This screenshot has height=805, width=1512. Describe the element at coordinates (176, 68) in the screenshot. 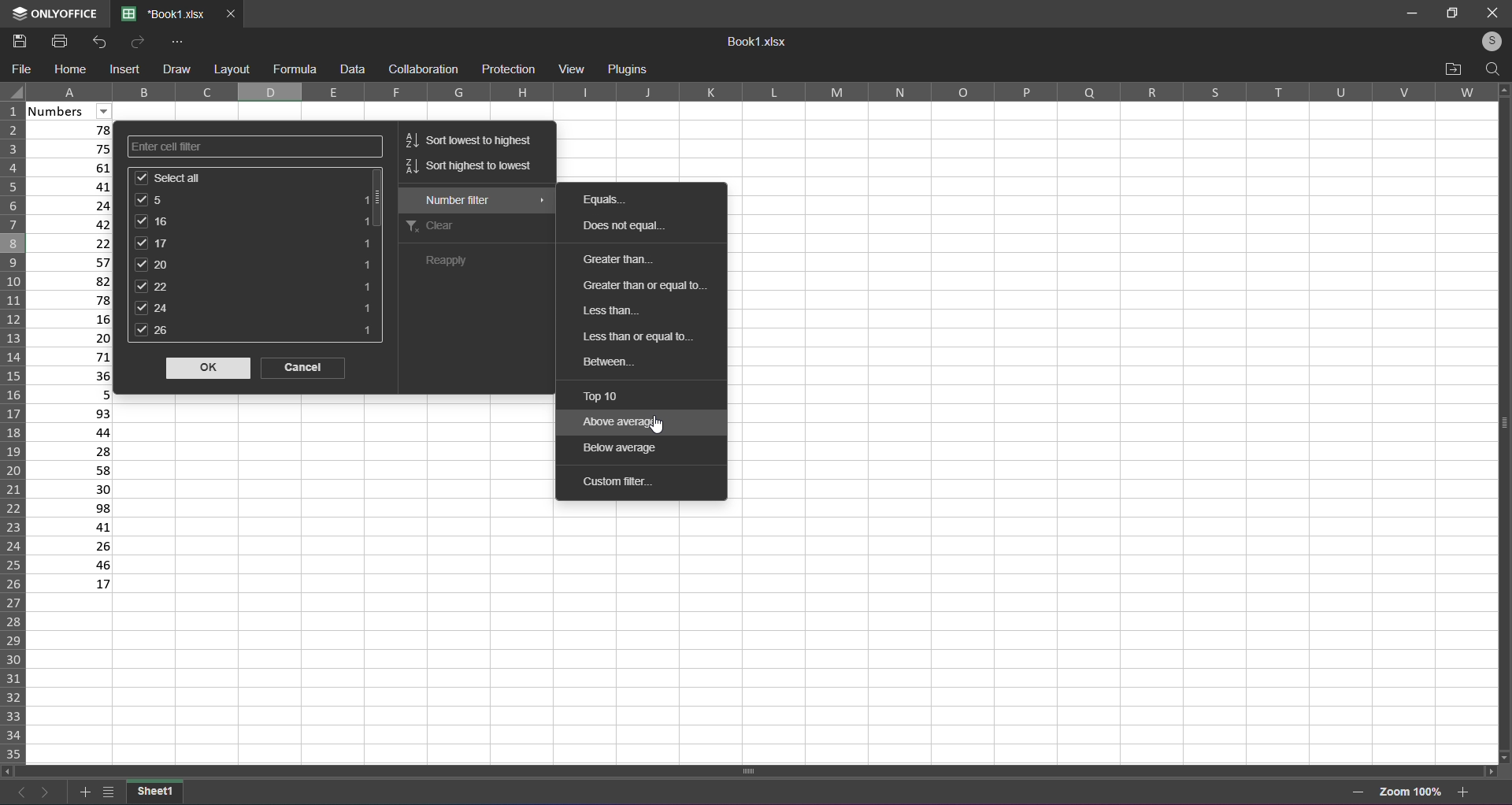

I see `draw` at that location.